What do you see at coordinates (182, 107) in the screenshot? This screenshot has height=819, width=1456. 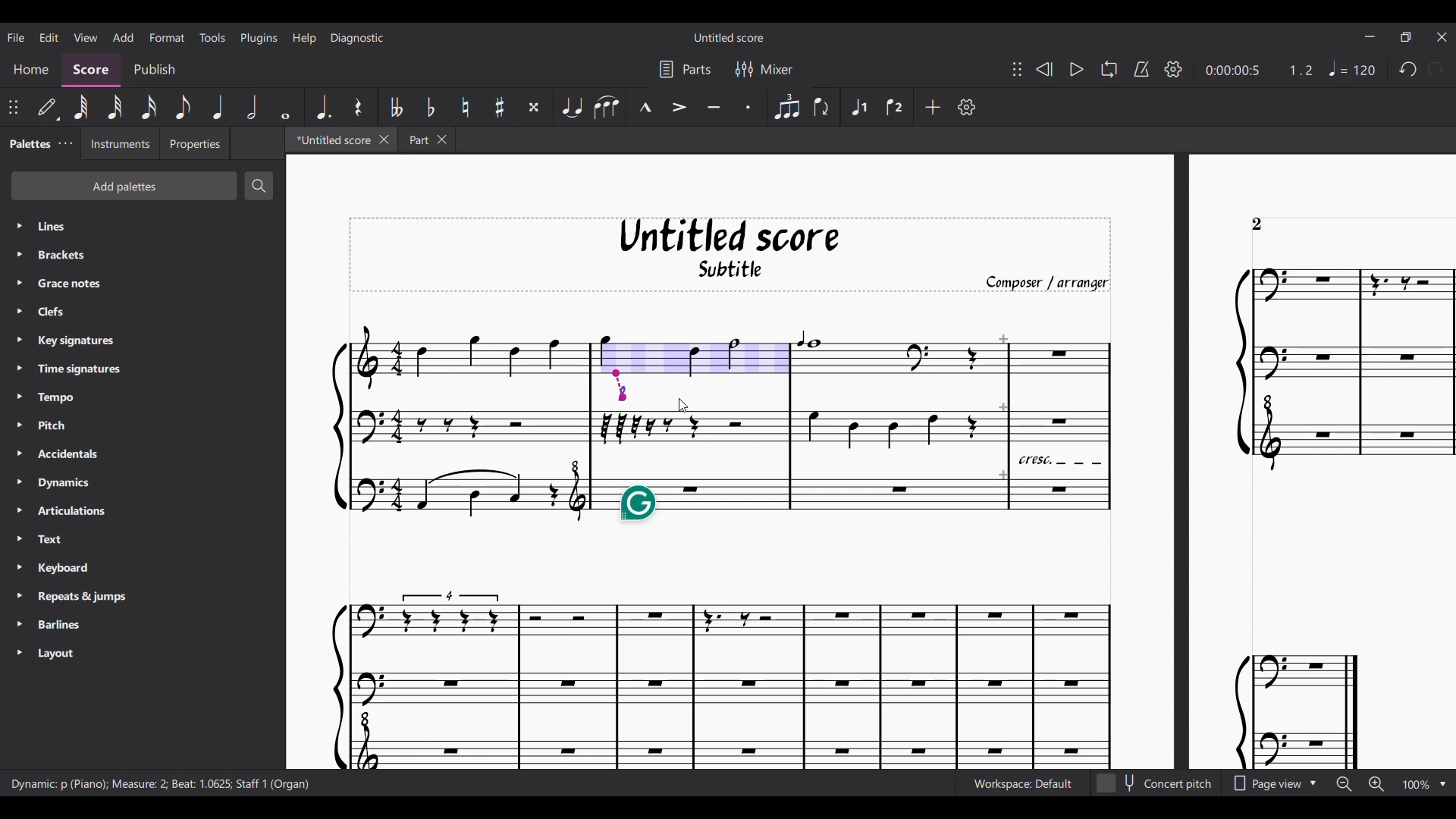 I see `8th note` at bounding box center [182, 107].